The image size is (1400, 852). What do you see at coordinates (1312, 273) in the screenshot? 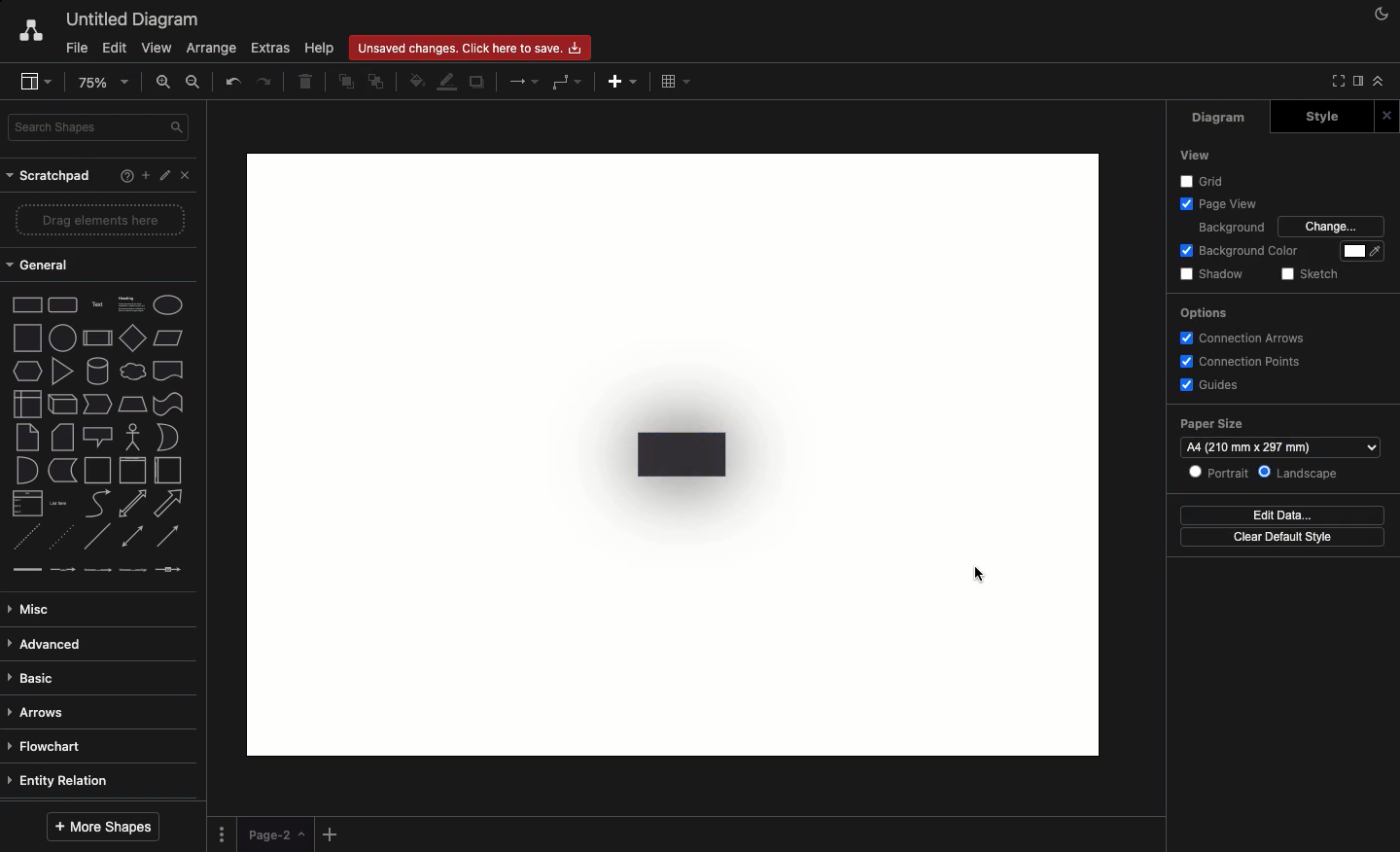
I see `Sketch` at bounding box center [1312, 273].